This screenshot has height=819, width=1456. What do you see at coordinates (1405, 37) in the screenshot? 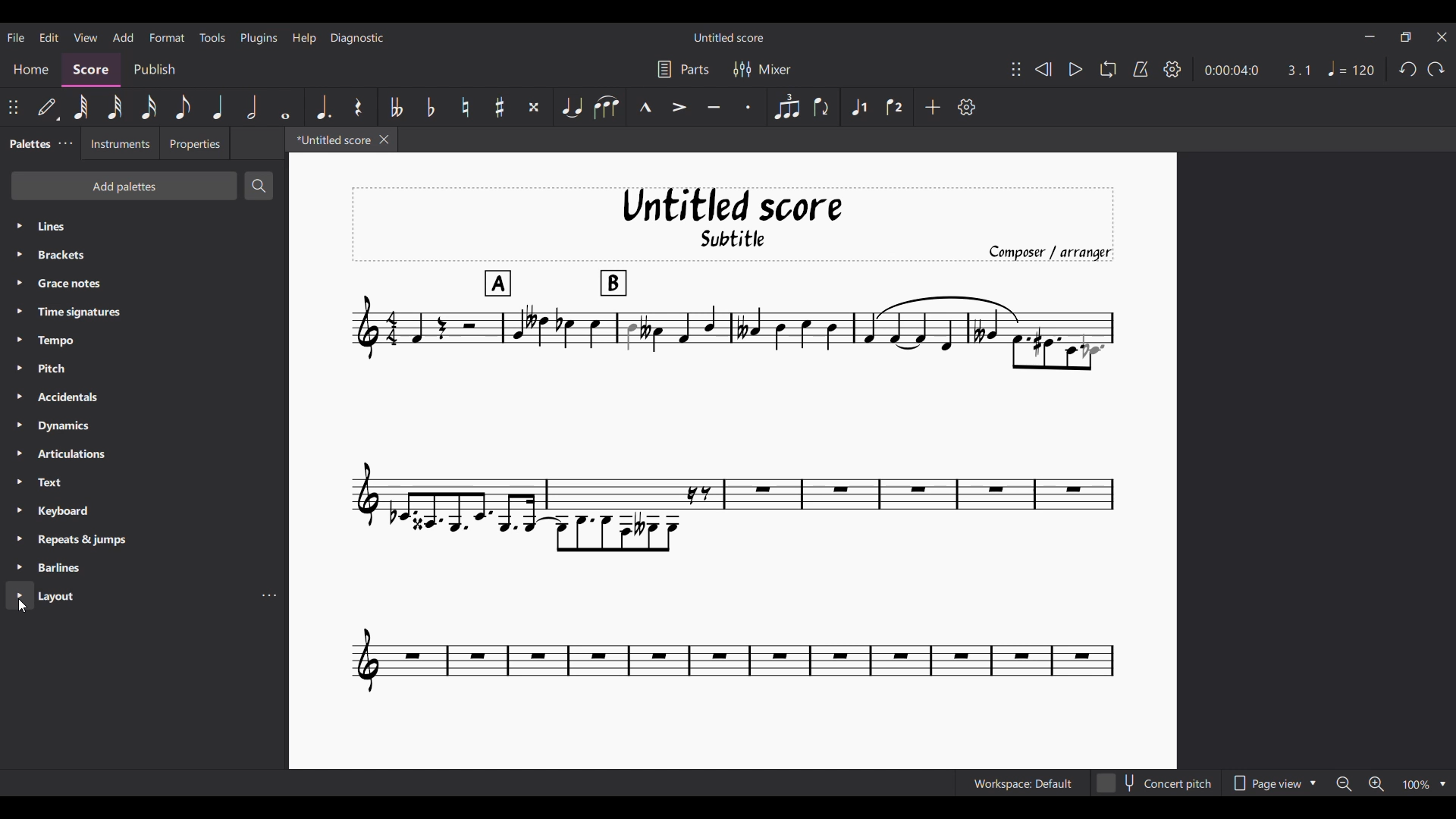
I see `Show in smaller tab` at bounding box center [1405, 37].